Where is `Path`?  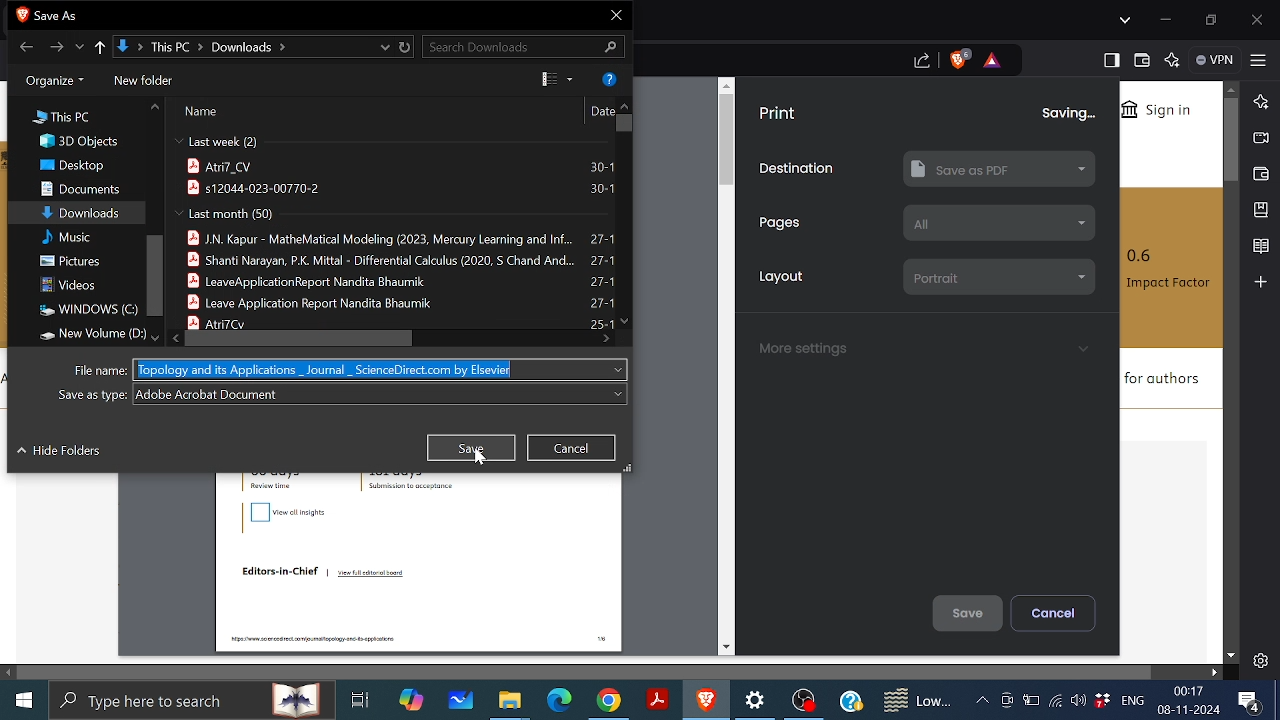
Path is located at coordinates (125, 46).